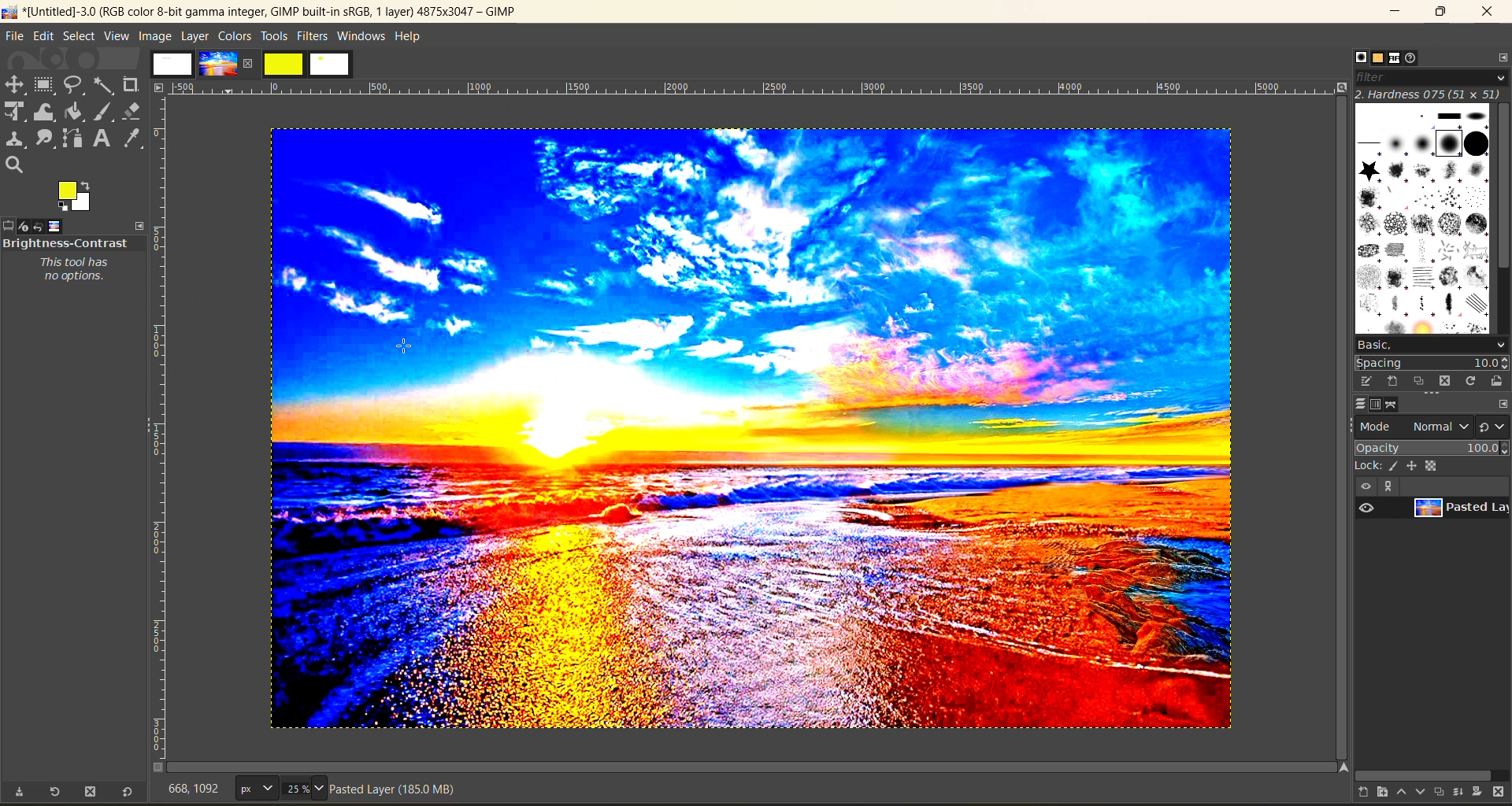  I want to click on image, so click(226, 62).